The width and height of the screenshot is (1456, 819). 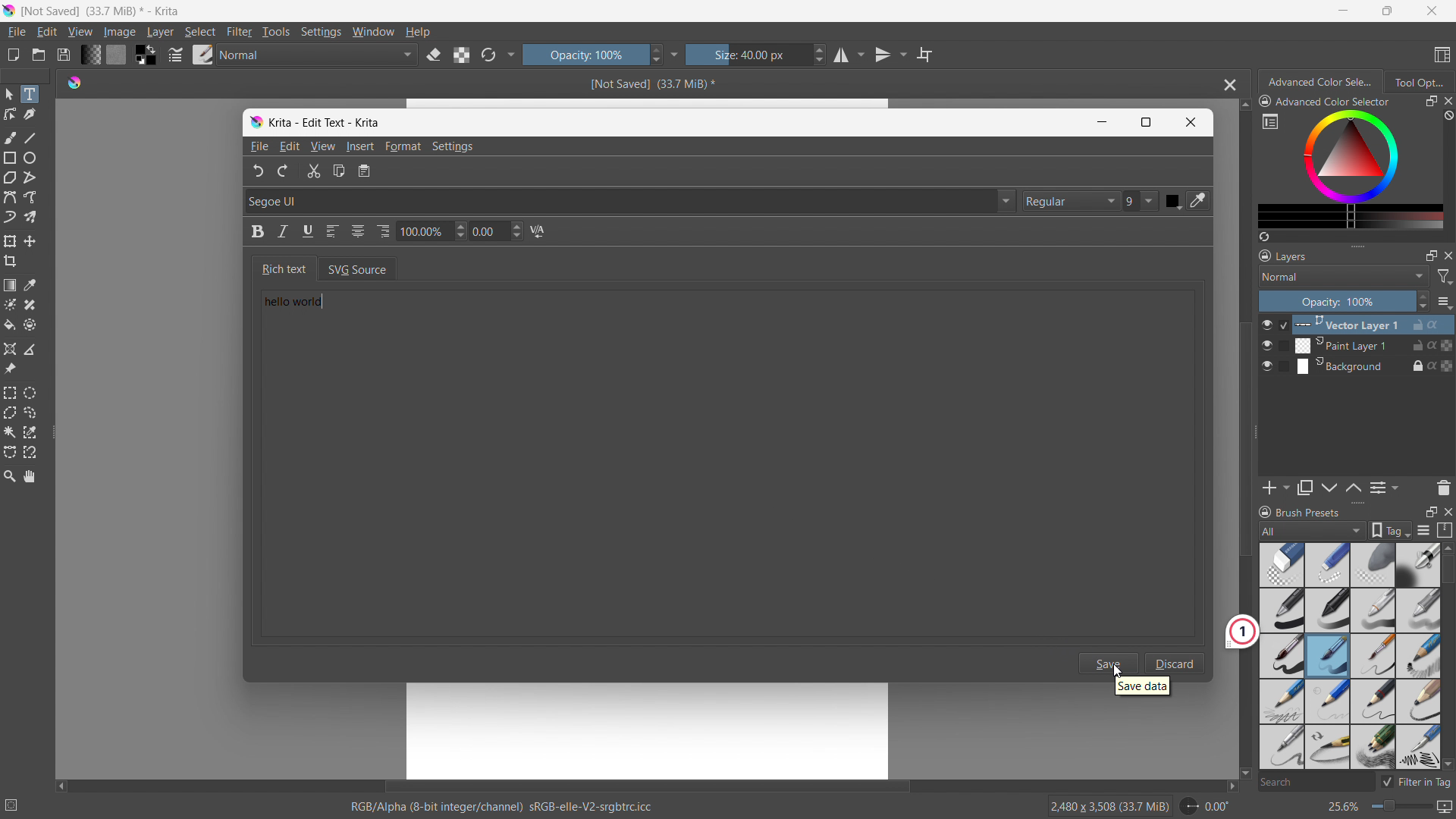 I want to click on pan tool, so click(x=30, y=476).